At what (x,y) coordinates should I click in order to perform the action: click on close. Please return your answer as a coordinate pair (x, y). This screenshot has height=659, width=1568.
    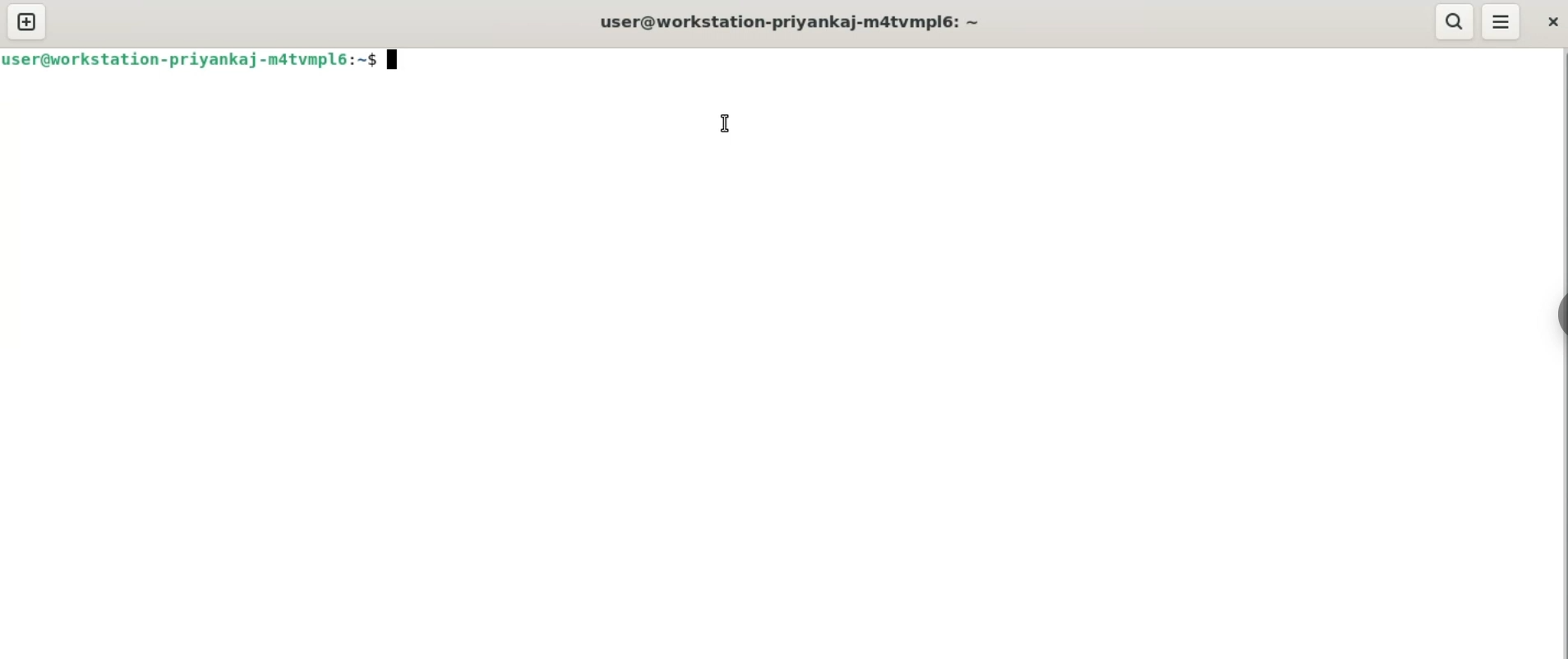
    Looking at the image, I should click on (1553, 24).